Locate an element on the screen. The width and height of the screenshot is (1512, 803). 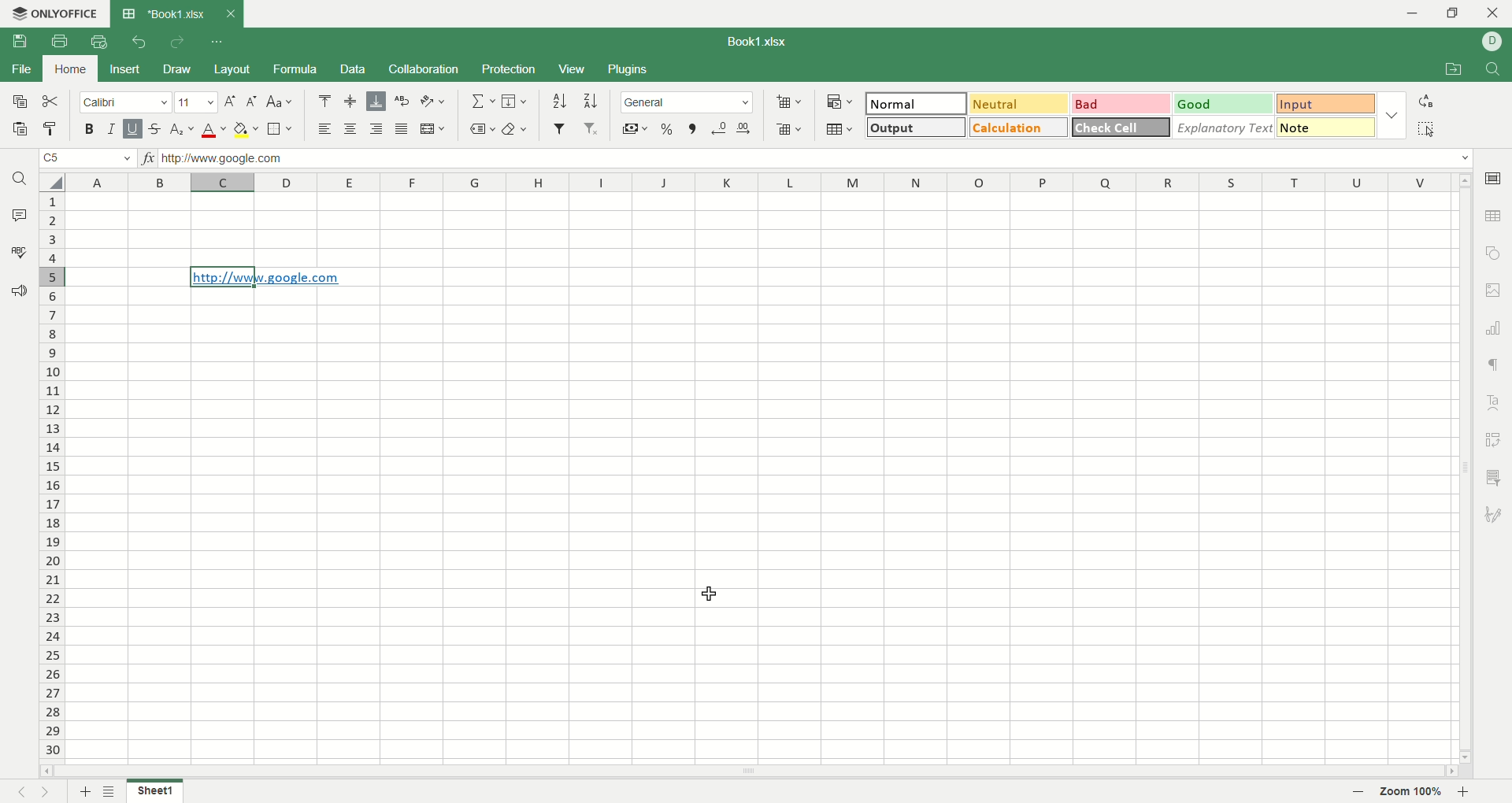
align bottom is located at coordinates (379, 101).